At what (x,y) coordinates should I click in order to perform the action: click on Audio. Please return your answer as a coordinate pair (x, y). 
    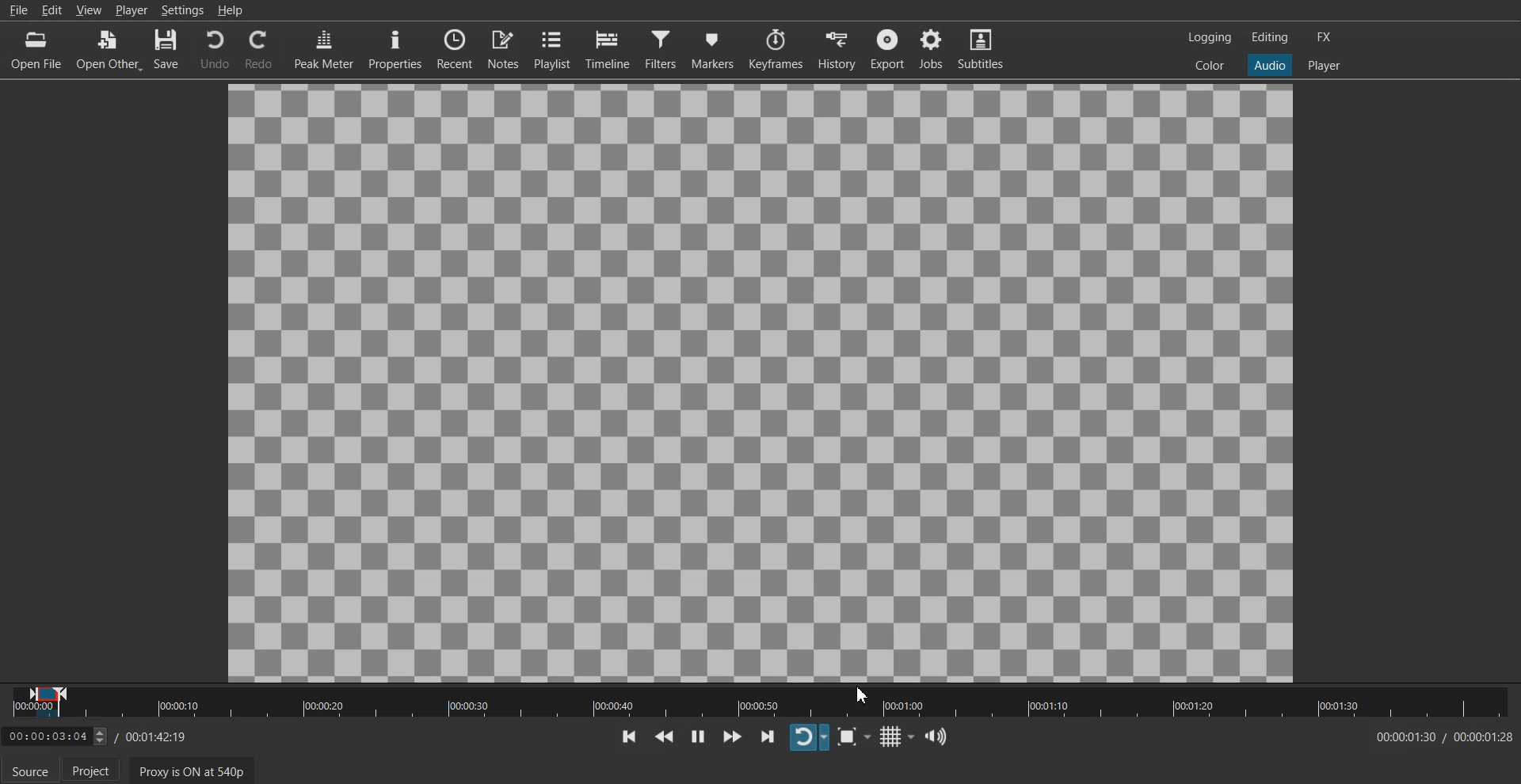
    Looking at the image, I should click on (1270, 66).